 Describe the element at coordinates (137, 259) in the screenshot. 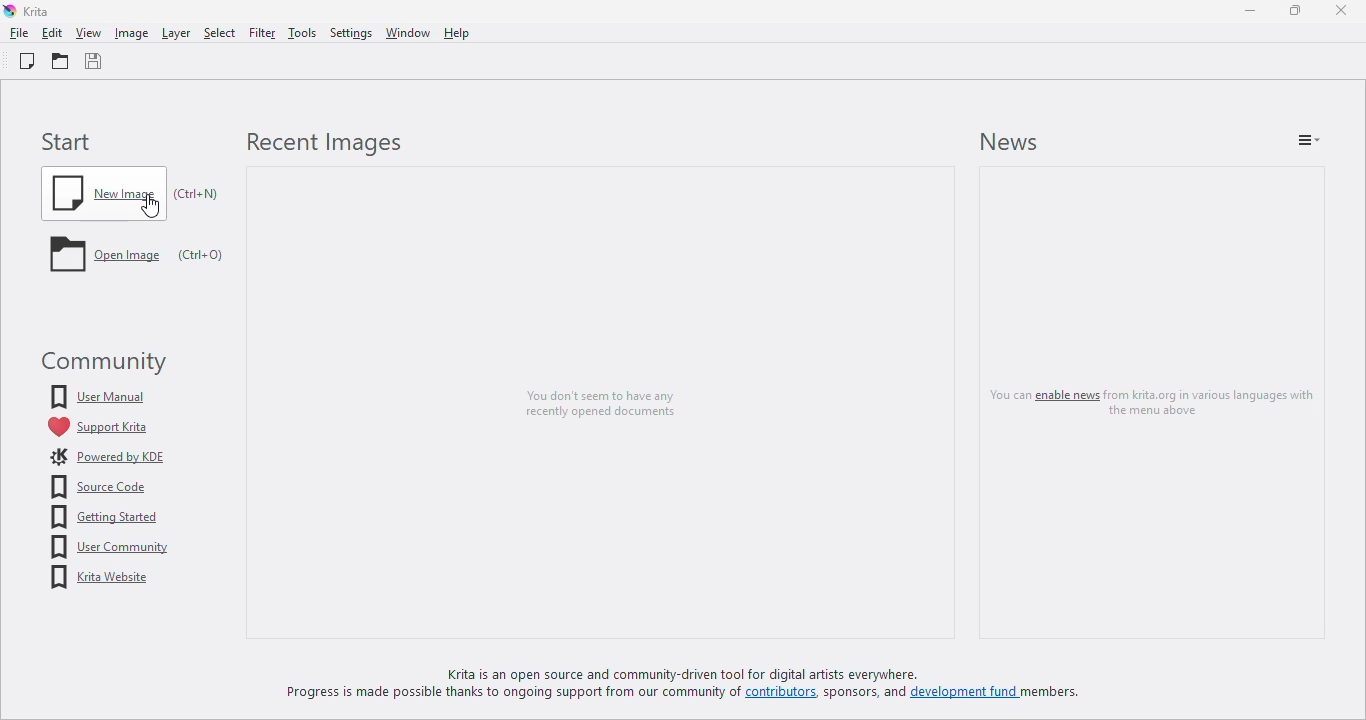

I see `Open image  (Ctrl+0)` at that location.